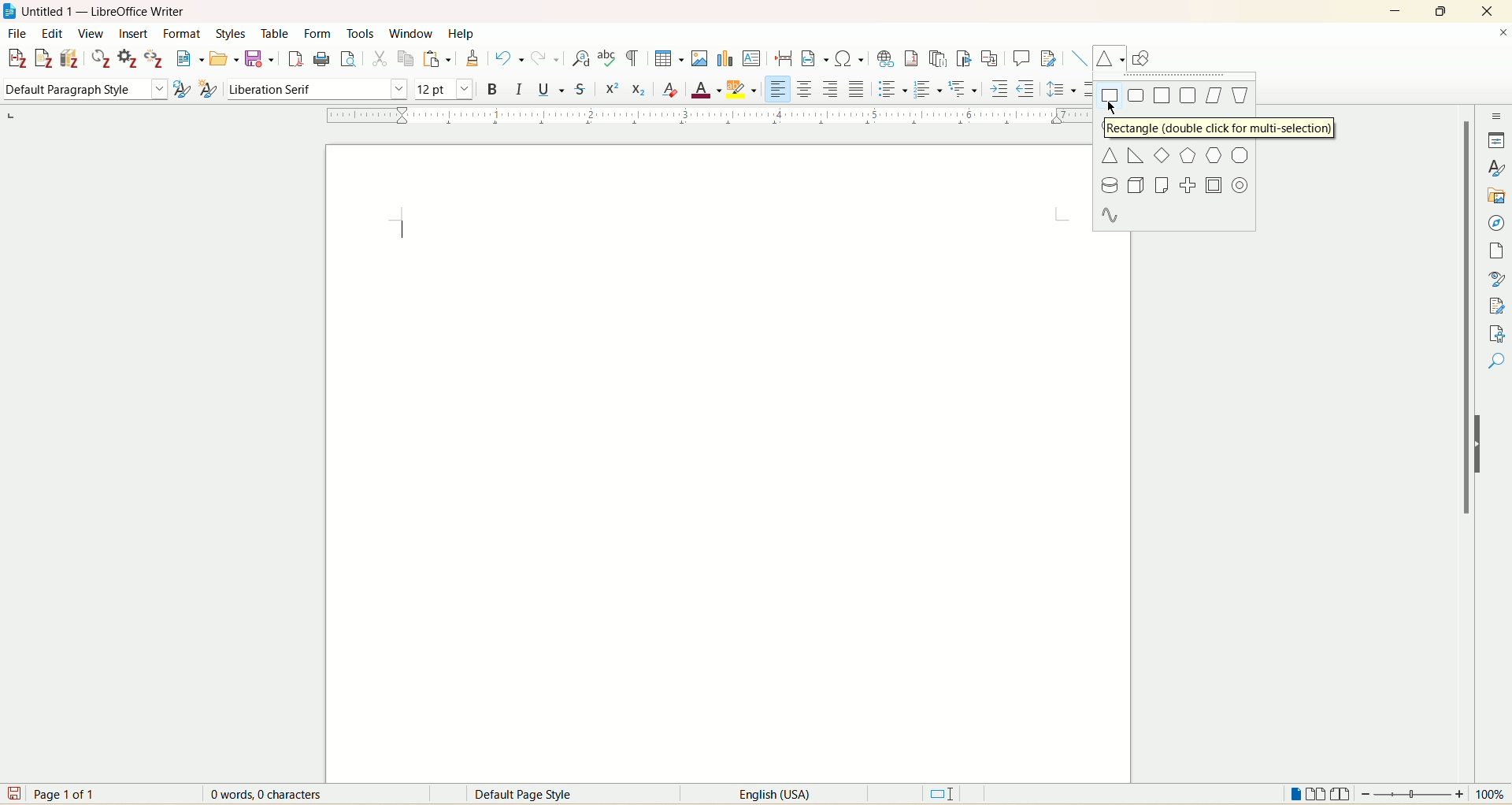  I want to click on file, so click(16, 35).